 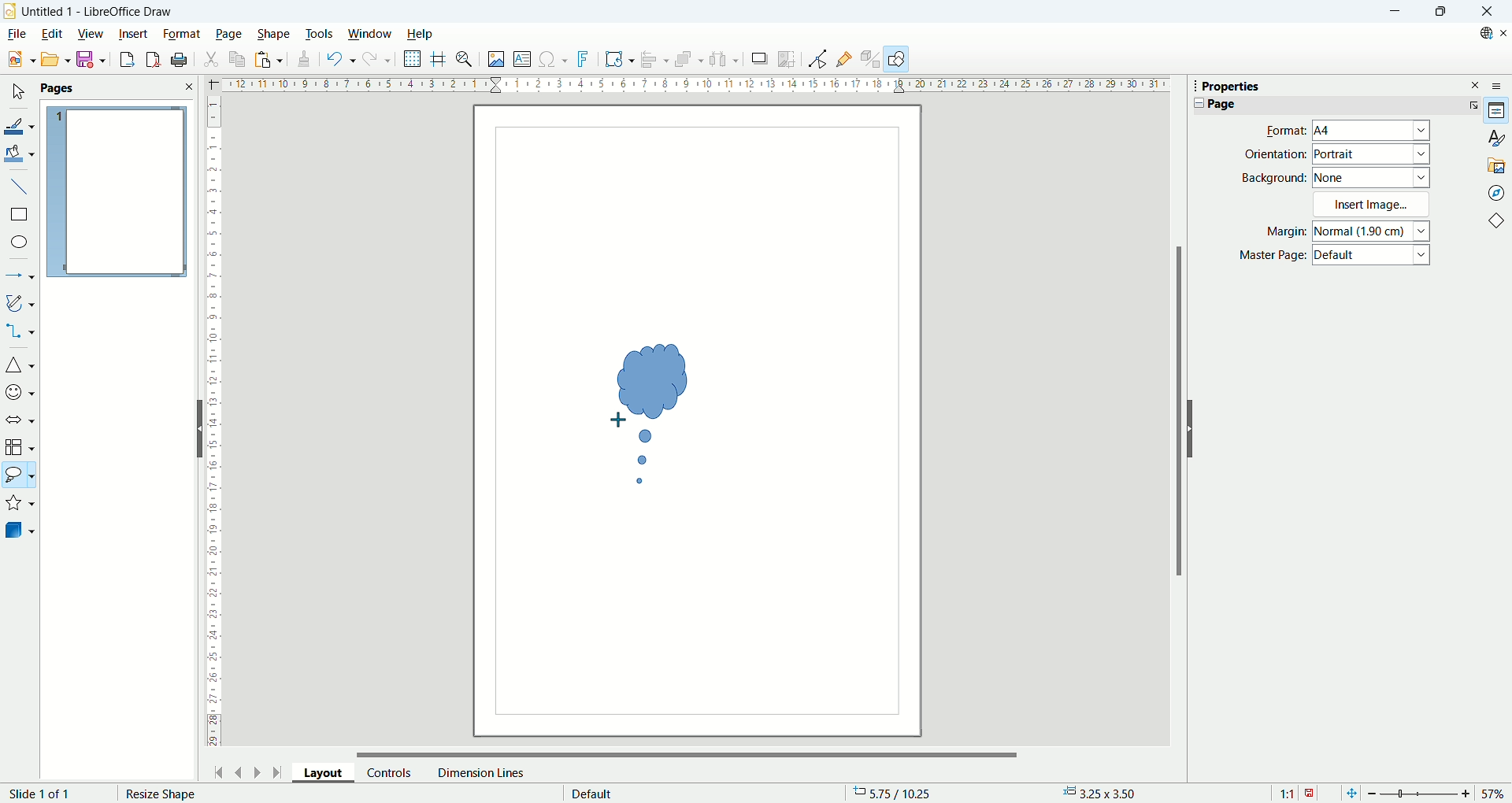 I want to click on arrange, so click(x=691, y=61).